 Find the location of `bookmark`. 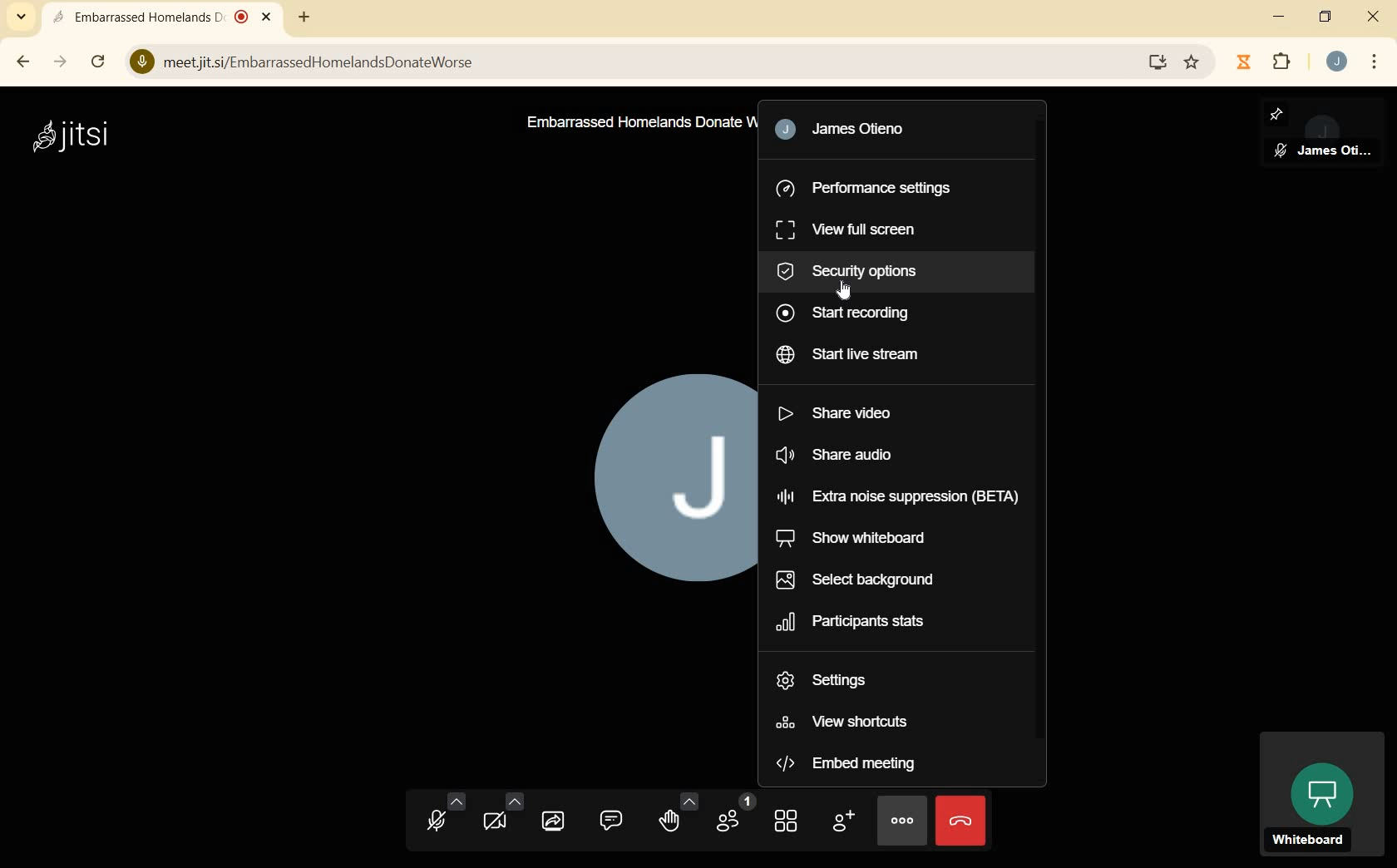

bookmark is located at coordinates (1194, 61).